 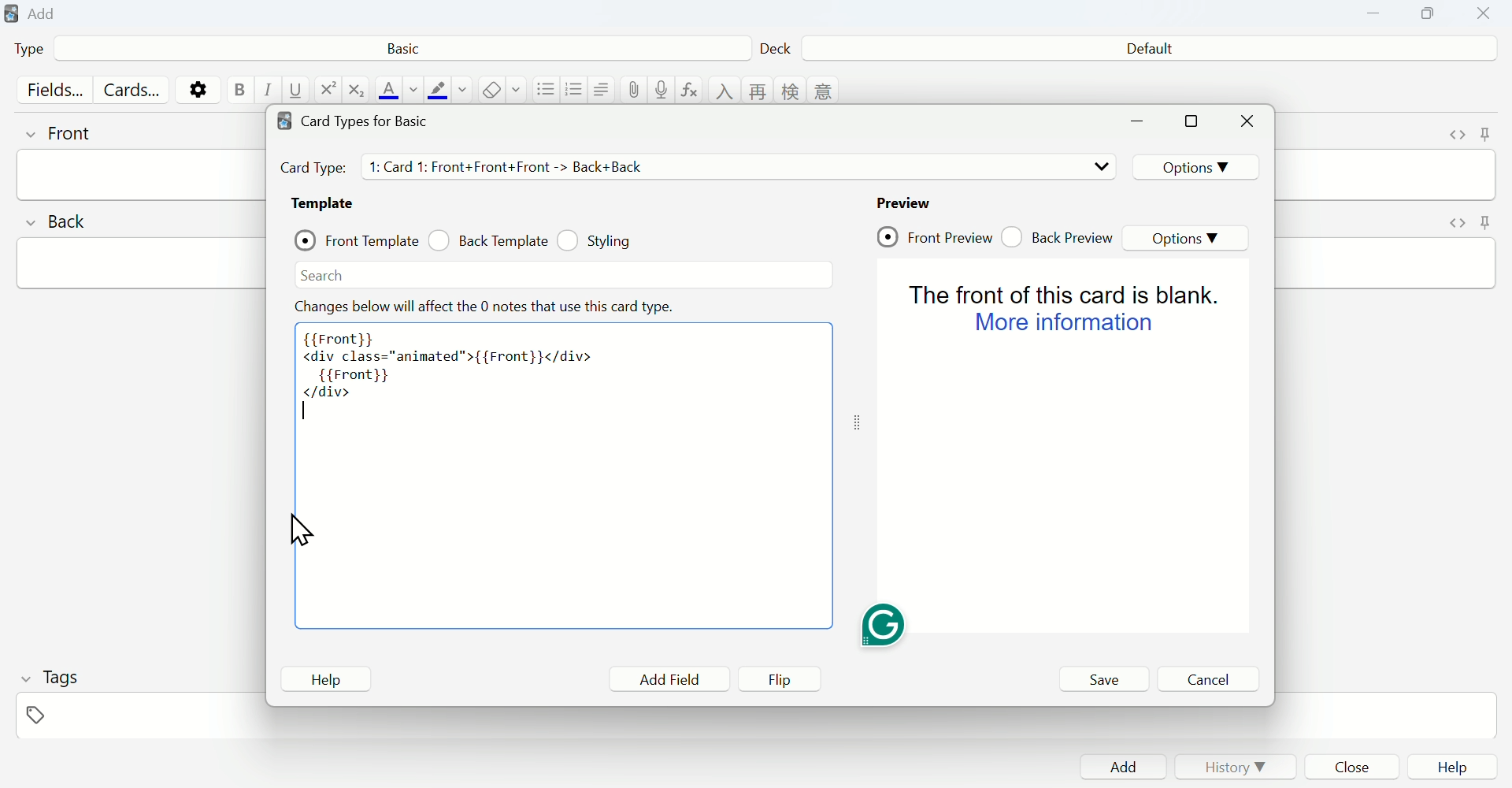 What do you see at coordinates (137, 716) in the screenshot?
I see `tags` at bounding box center [137, 716].